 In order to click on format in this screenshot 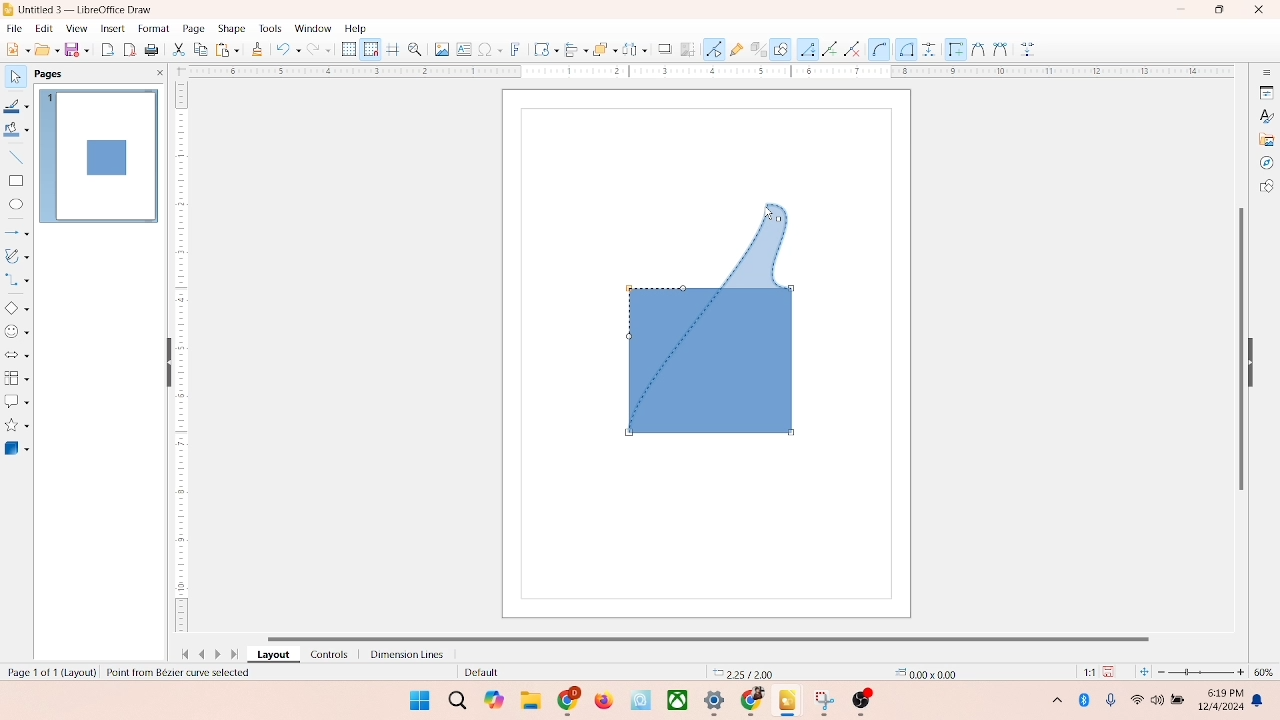, I will do `click(153, 27)`.